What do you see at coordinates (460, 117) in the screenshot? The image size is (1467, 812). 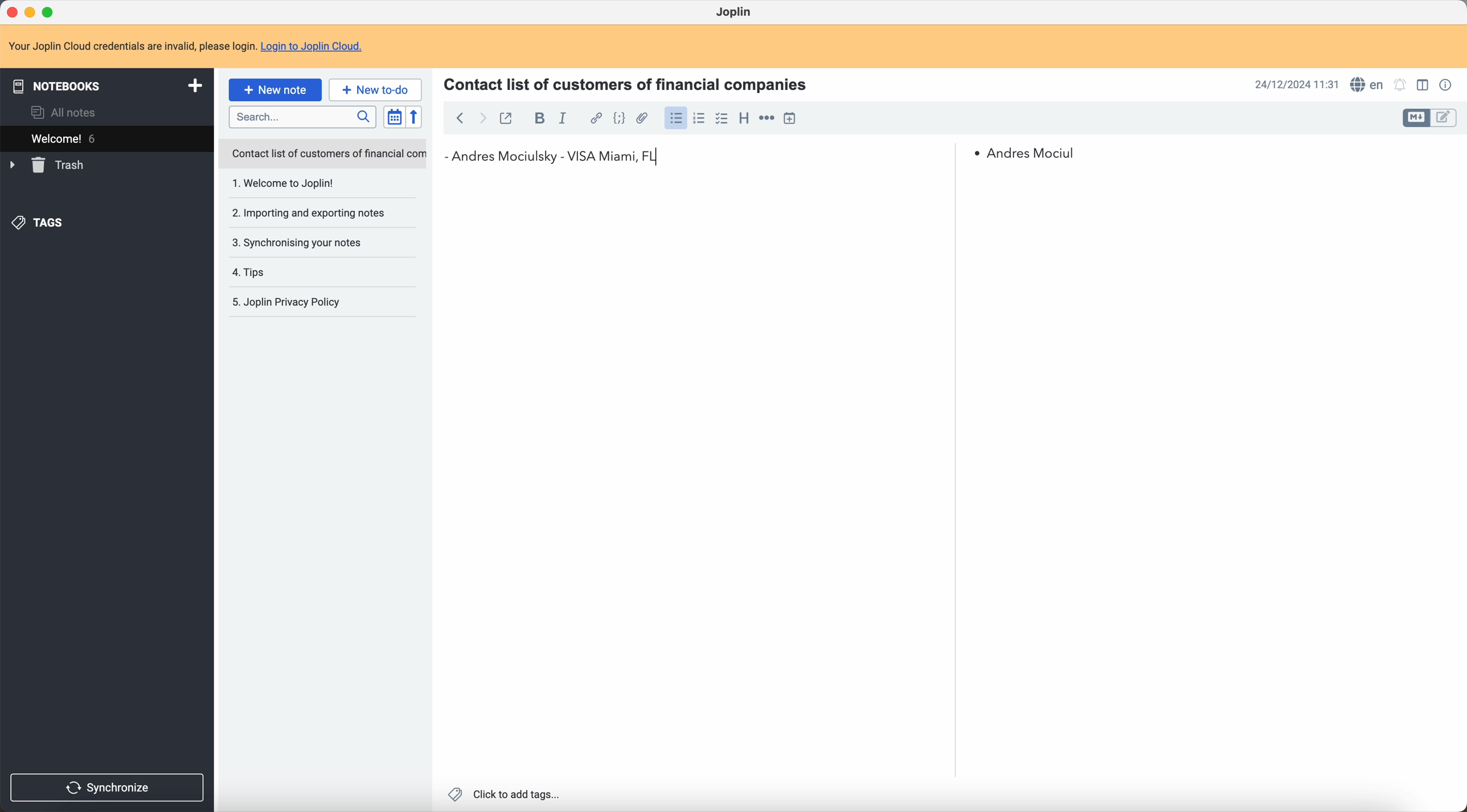 I see `back` at bounding box center [460, 117].